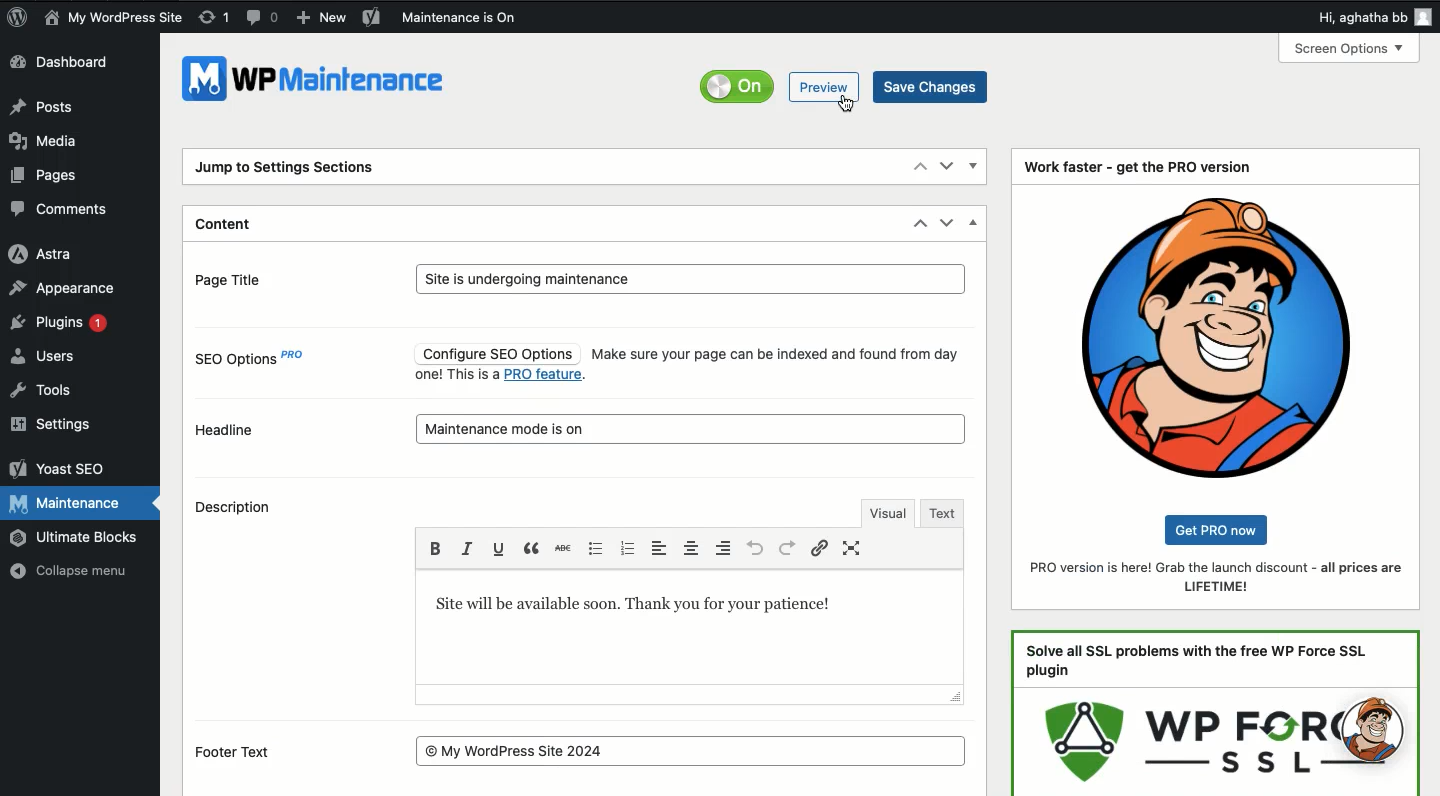 The width and height of the screenshot is (1440, 796). What do you see at coordinates (933, 224) in the screenshot?
I see `Move up down` at bounding box center [933, 224].